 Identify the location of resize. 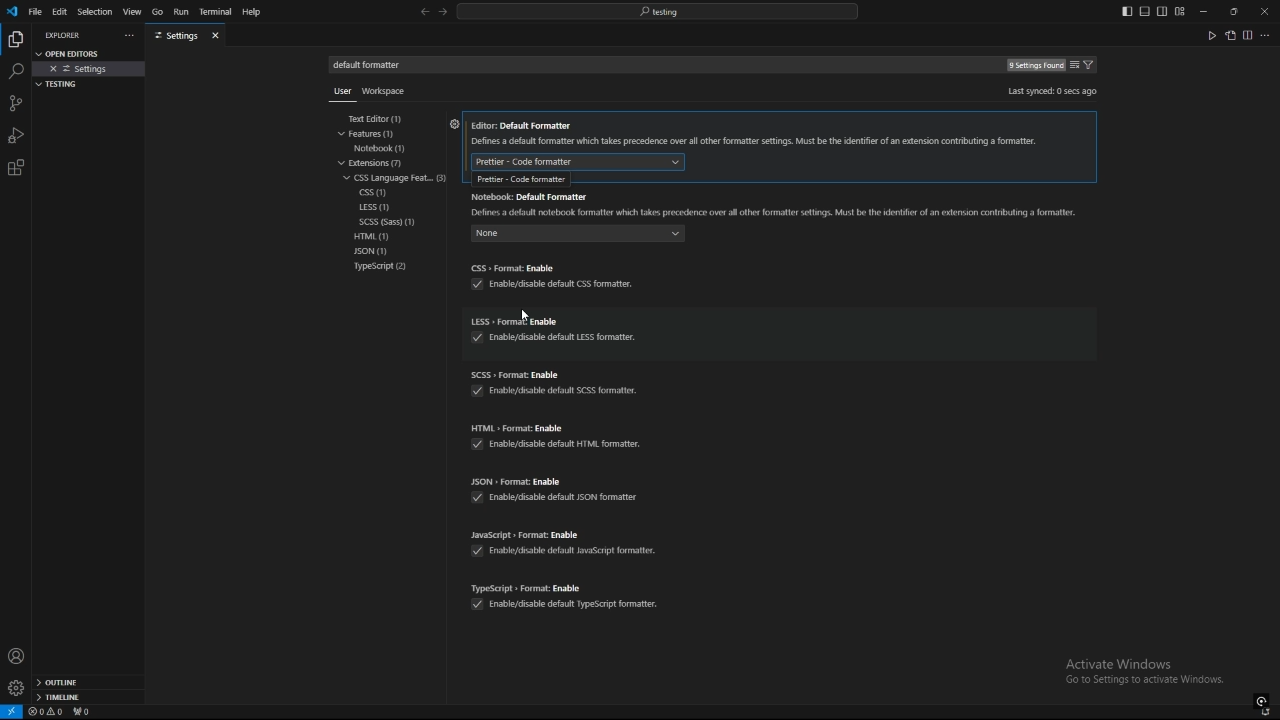
(1233, 11).